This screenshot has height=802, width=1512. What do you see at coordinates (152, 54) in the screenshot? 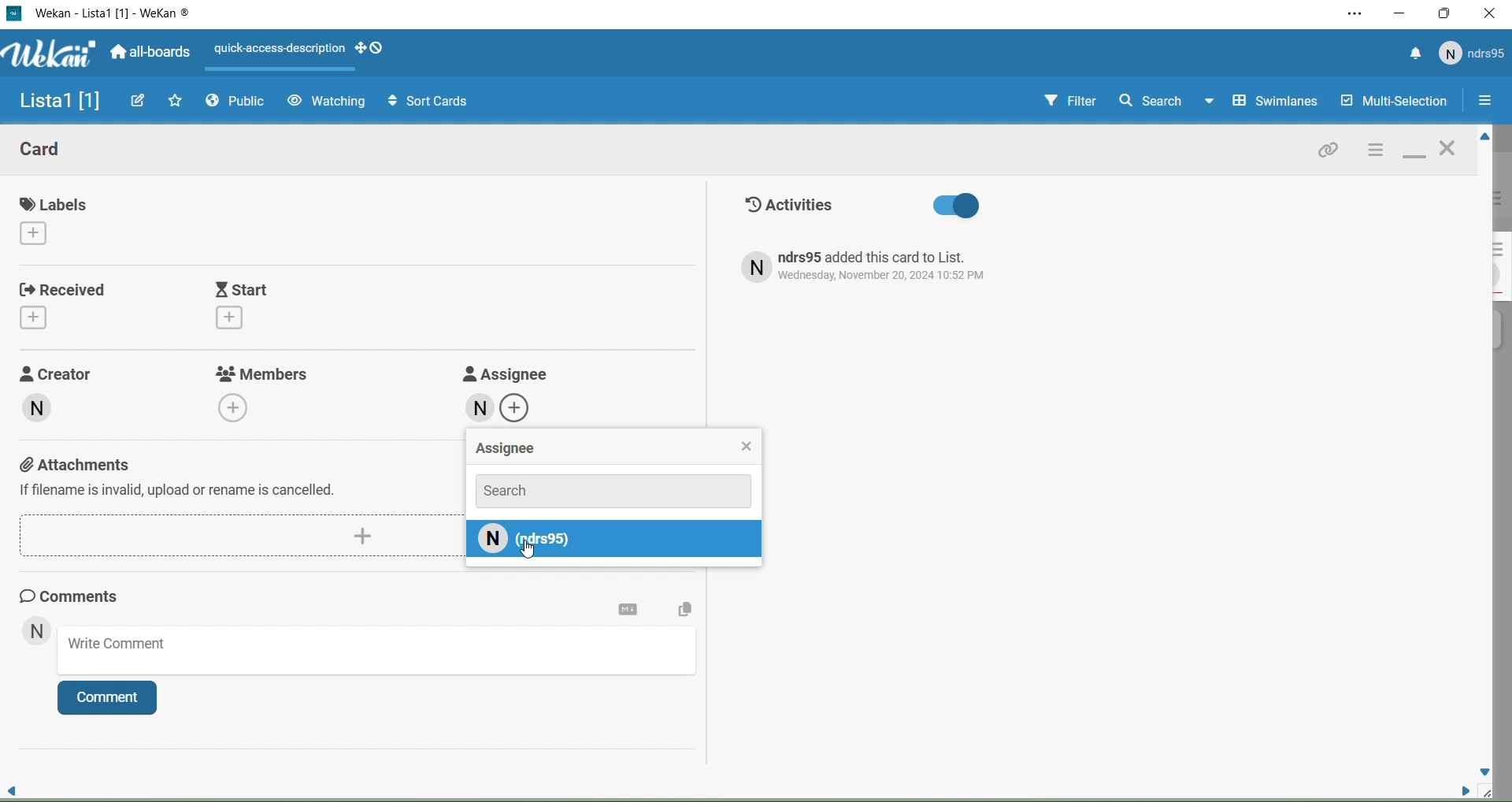
I see `All boards` at bounding box center [152, 54].